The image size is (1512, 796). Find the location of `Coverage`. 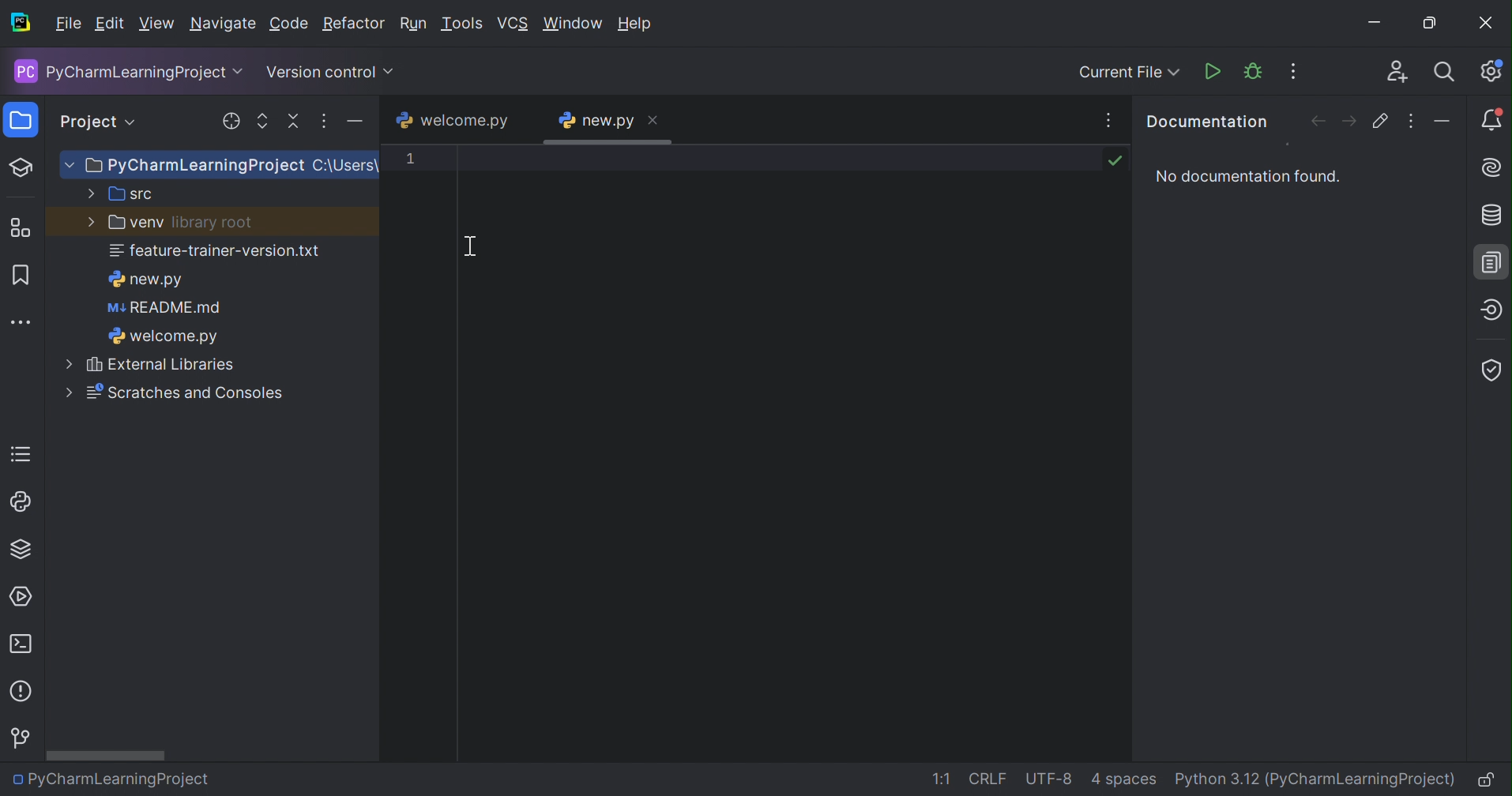

Coverage is located at coordinates (1491, 370).